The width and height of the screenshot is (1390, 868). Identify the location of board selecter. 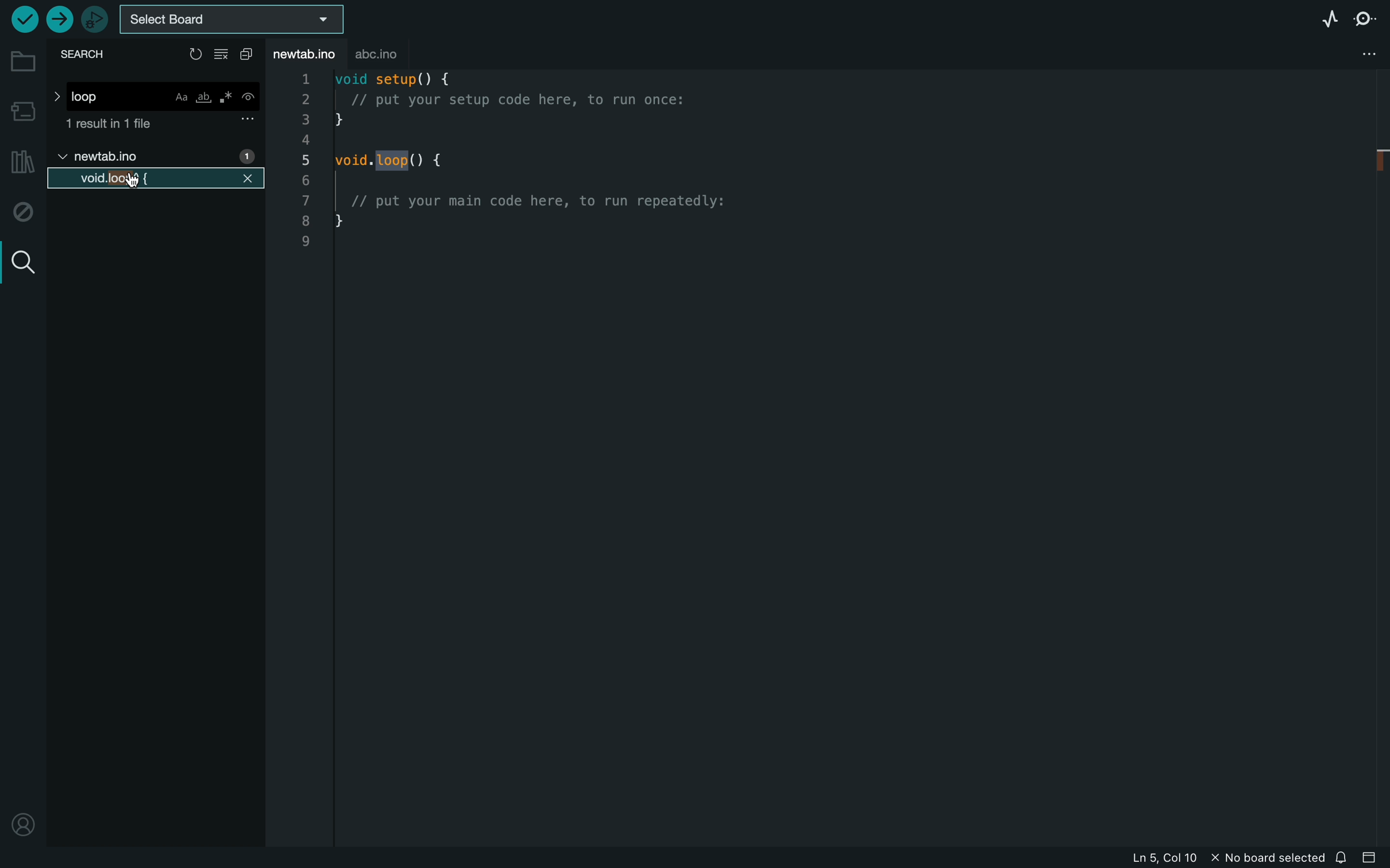
(237, 19).